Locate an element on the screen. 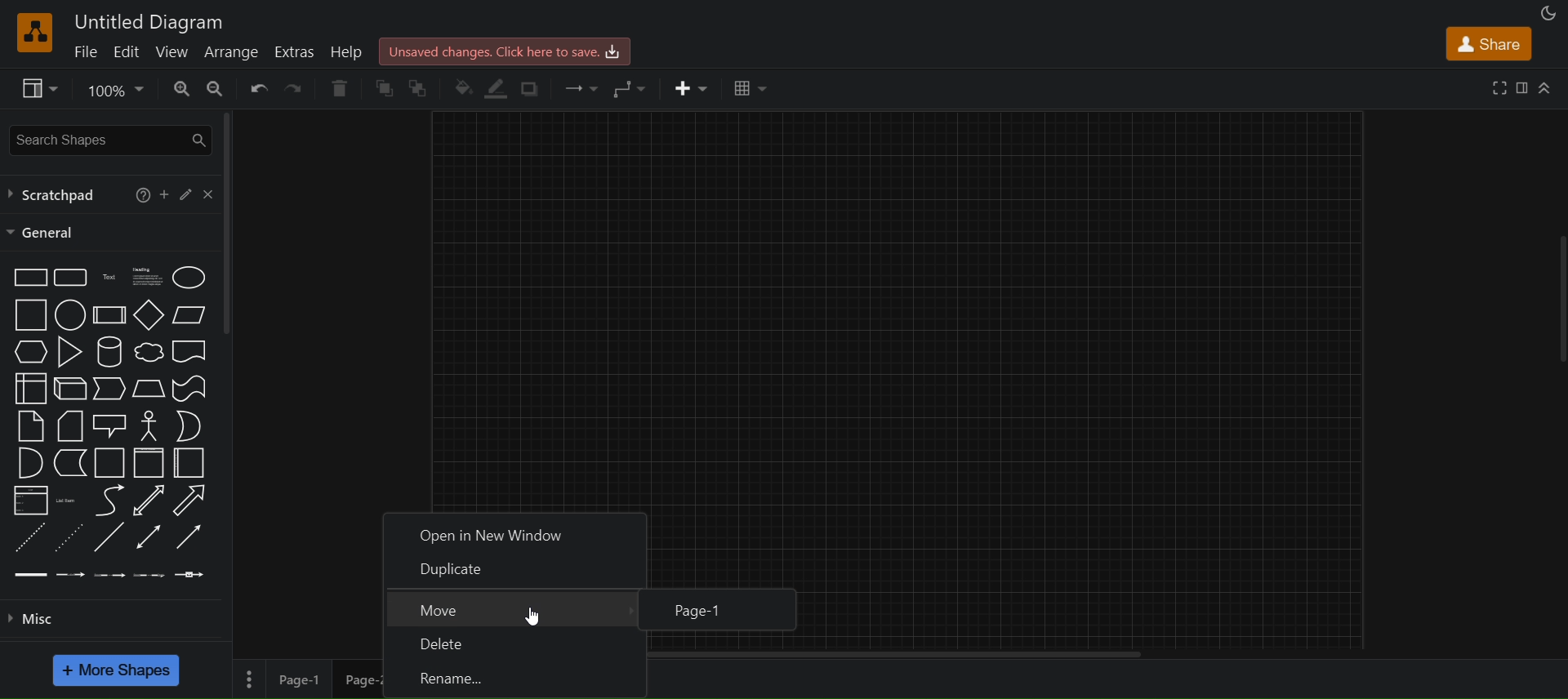 This screenshot has width=1568, height=699. arrow is located at coordinates (189, 499).